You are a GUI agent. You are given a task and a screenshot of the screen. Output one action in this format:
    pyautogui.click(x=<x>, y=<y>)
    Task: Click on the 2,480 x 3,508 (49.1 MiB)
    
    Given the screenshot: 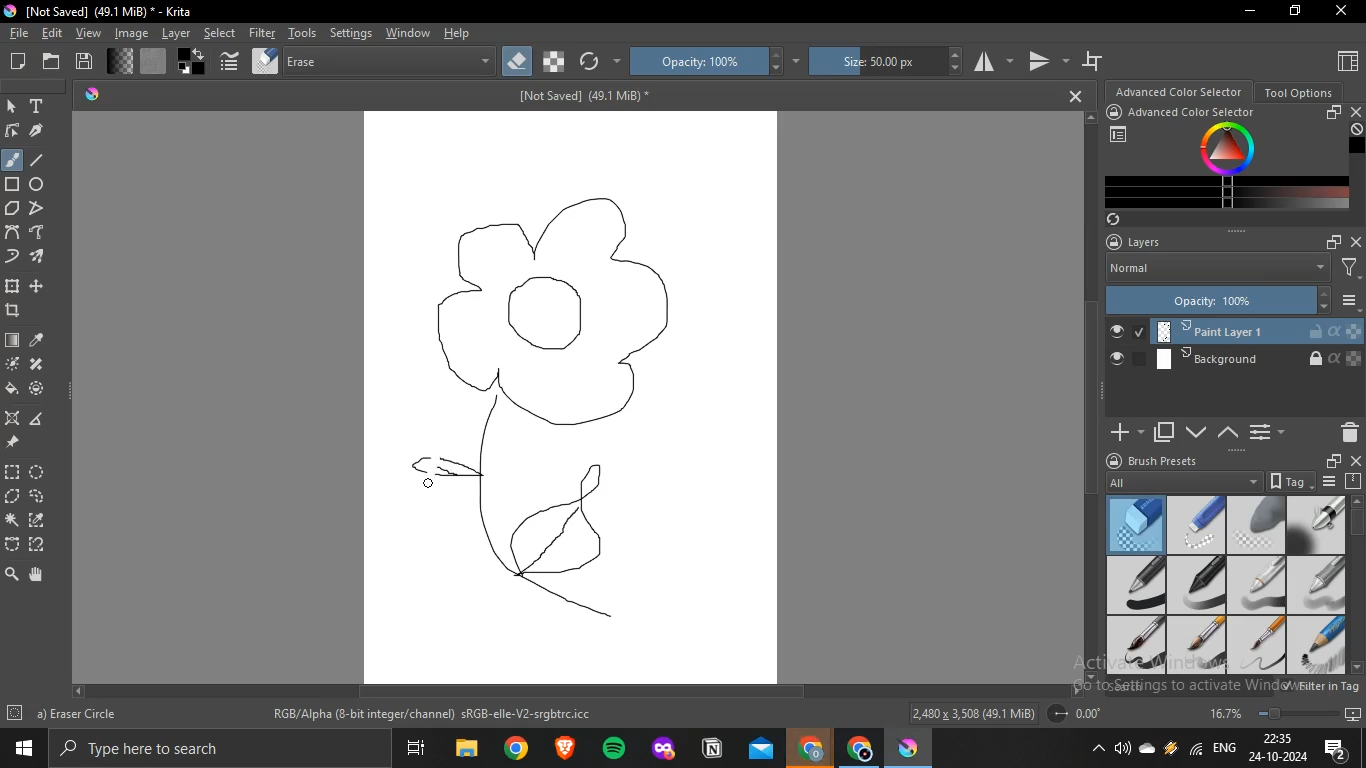 What is the action you would take?
    pyautogui.click(x=972, y=712)
    